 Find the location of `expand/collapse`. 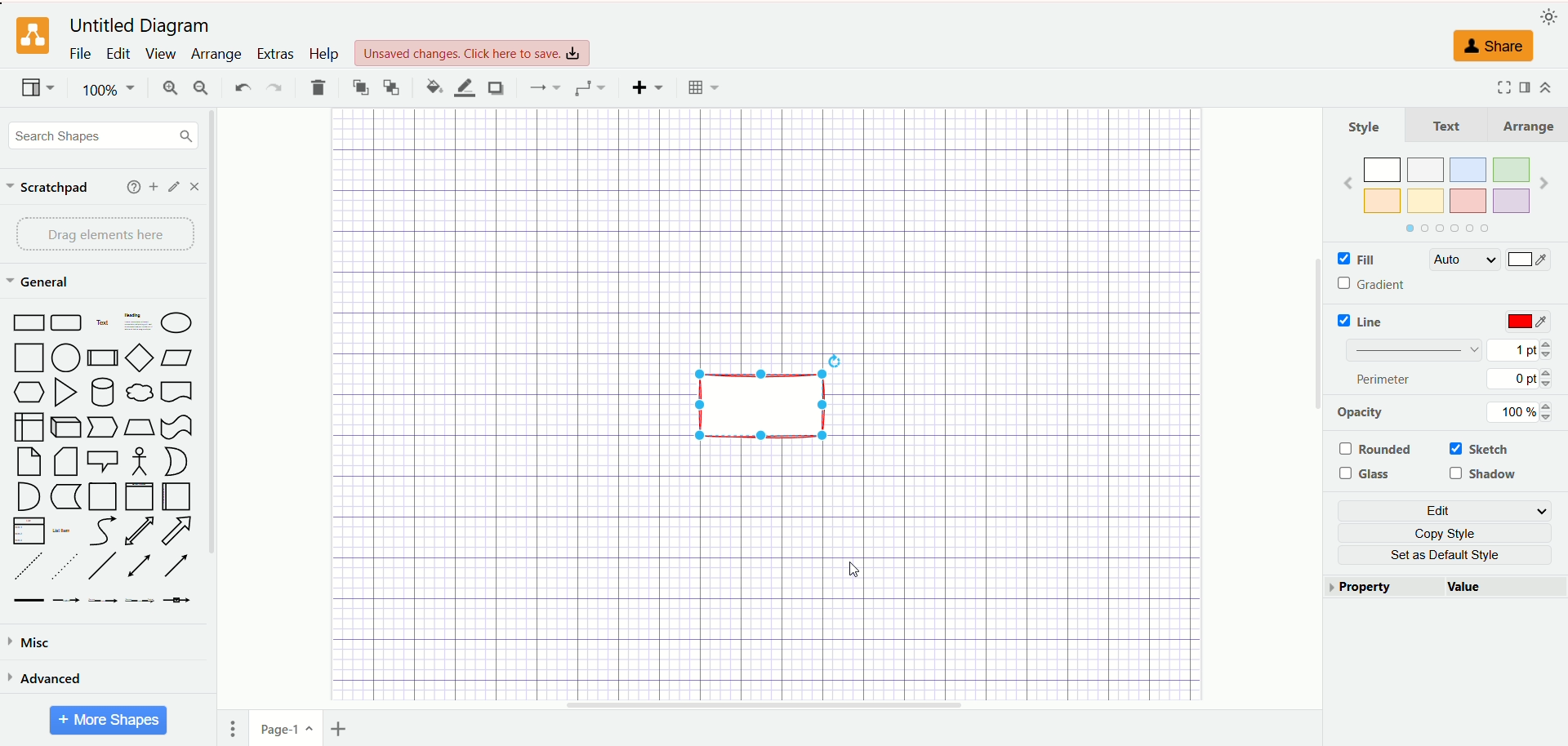

expand/collapse is located at coordinates (1547, 89).